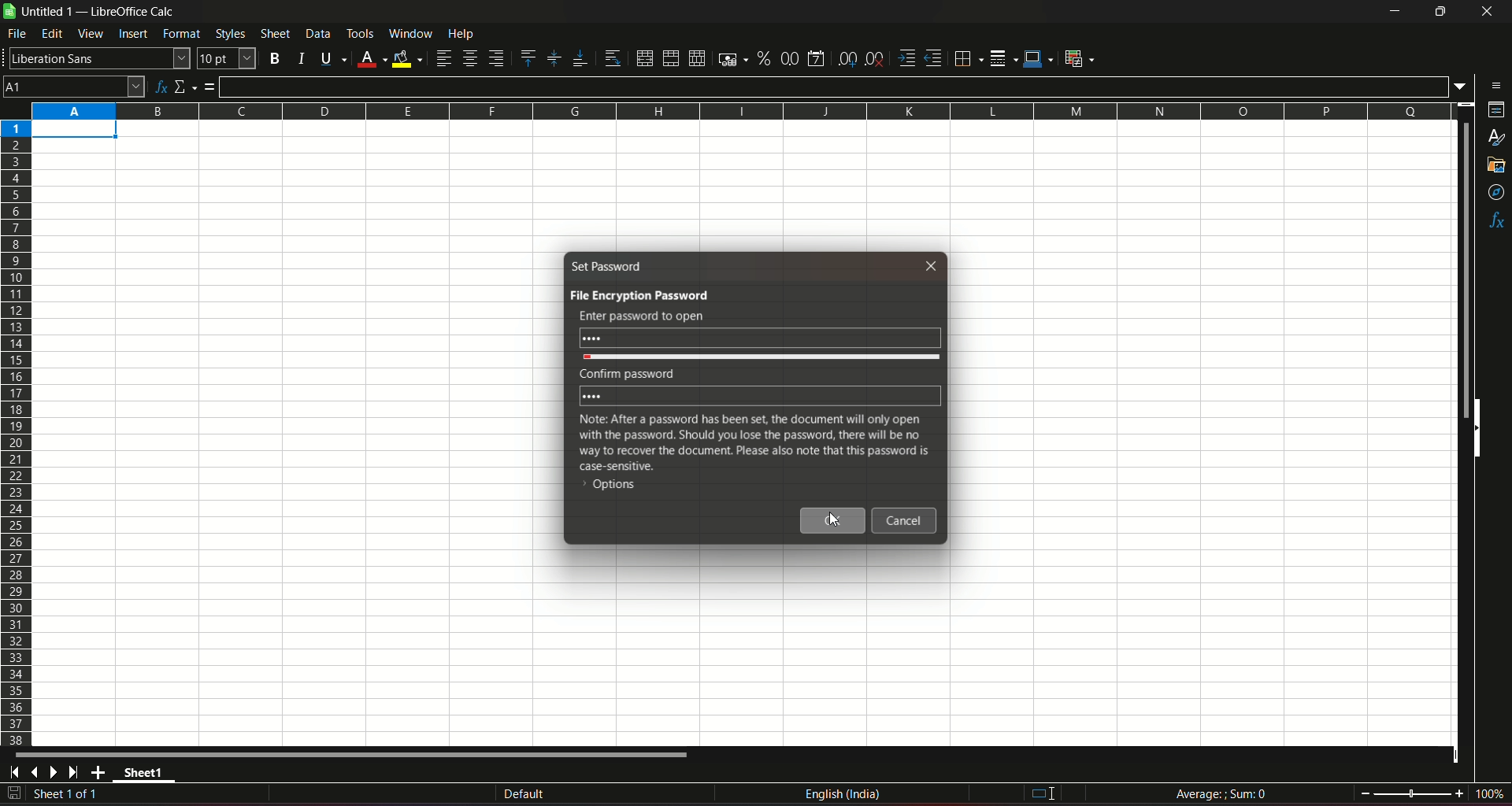 The image size is (1512, 806). Describe the element at coordinates (818, 57) in the screenshot. I see `format as date` at that location.